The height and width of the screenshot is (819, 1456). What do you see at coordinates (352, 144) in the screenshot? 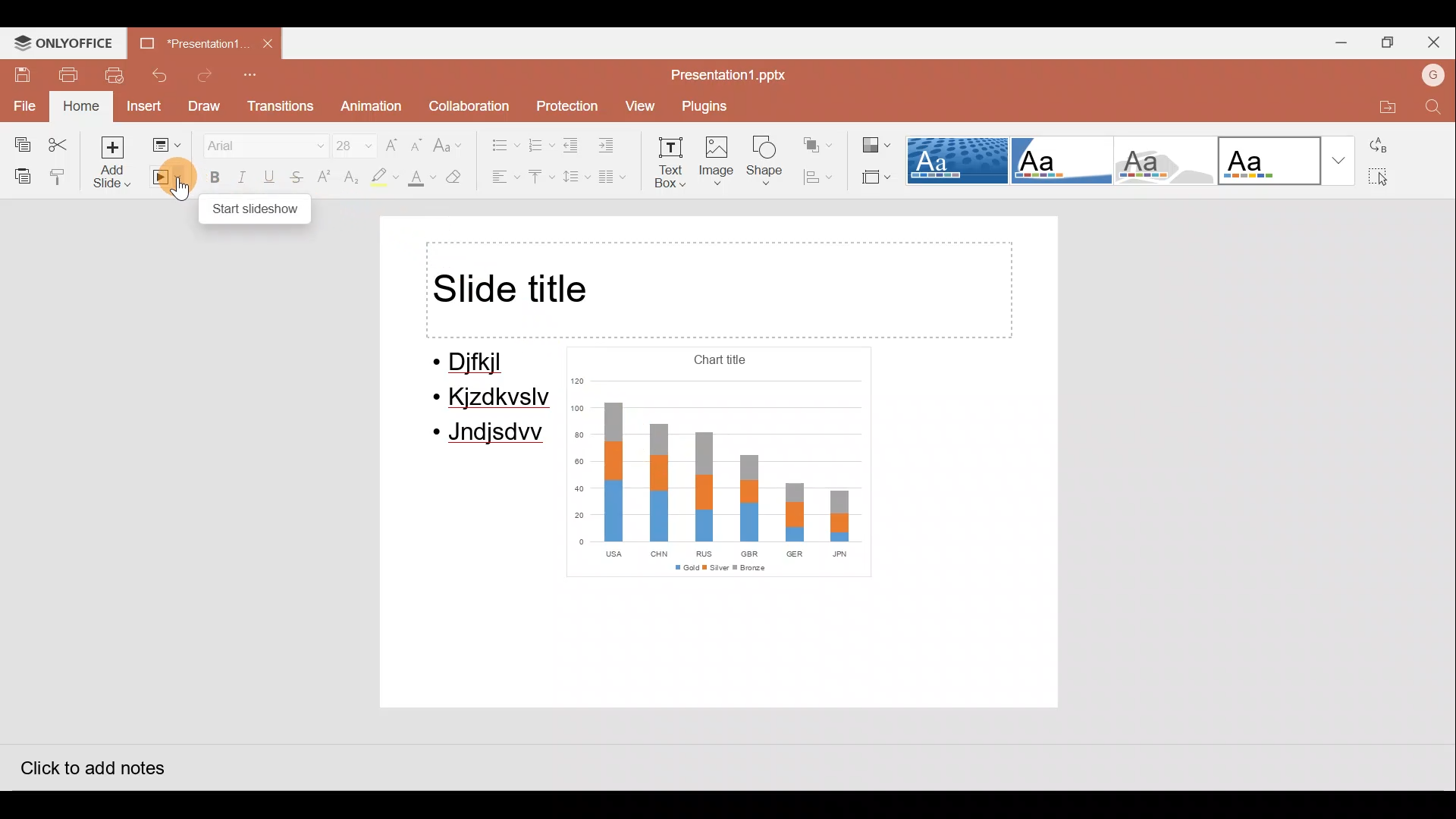
I see `Font size` at bounding box center [352, 144].